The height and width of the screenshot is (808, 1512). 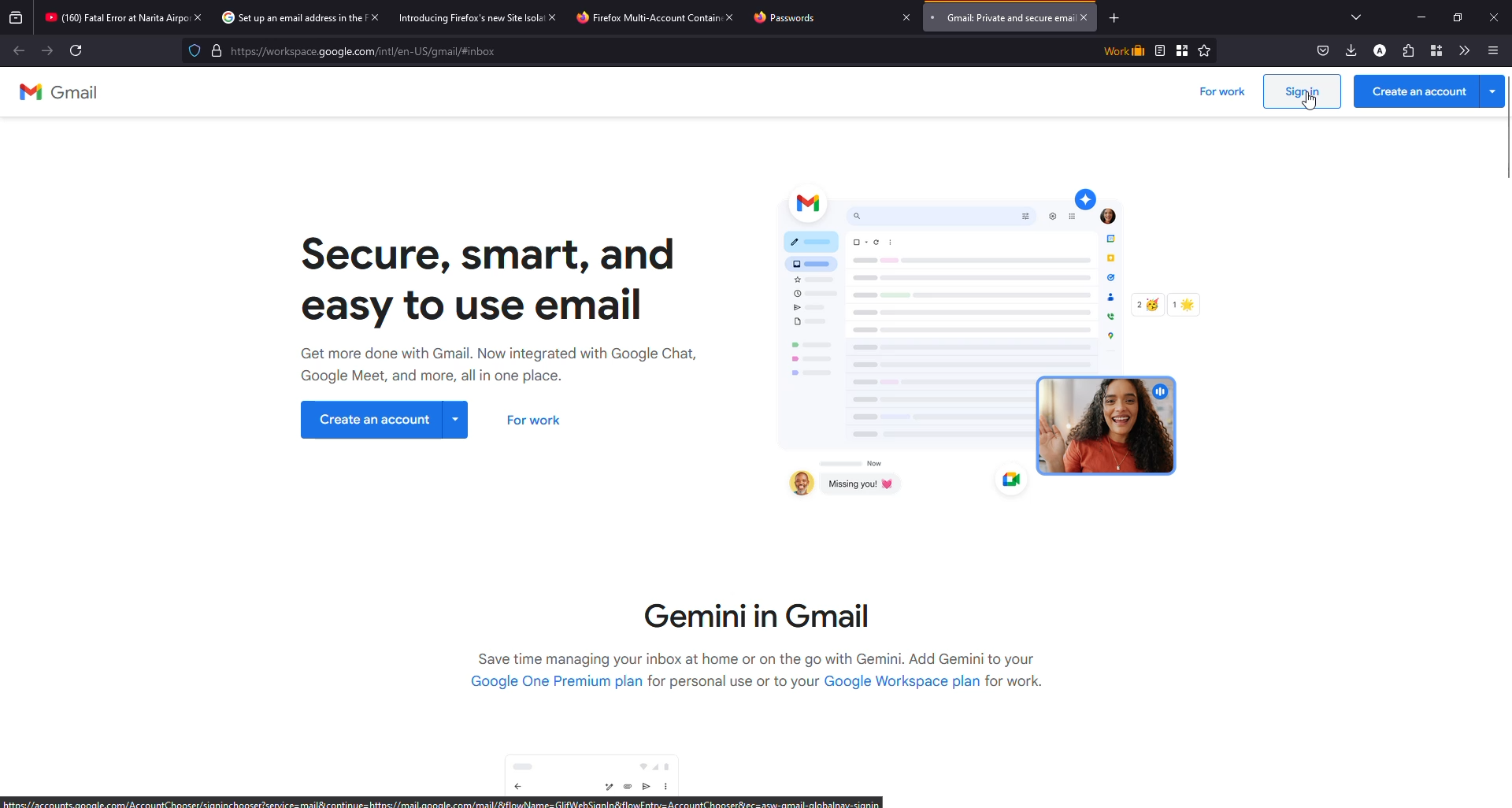 What do you see at coordinates (729, 17) in the screenshot?
I see `close` at bounding box center [729, 17].